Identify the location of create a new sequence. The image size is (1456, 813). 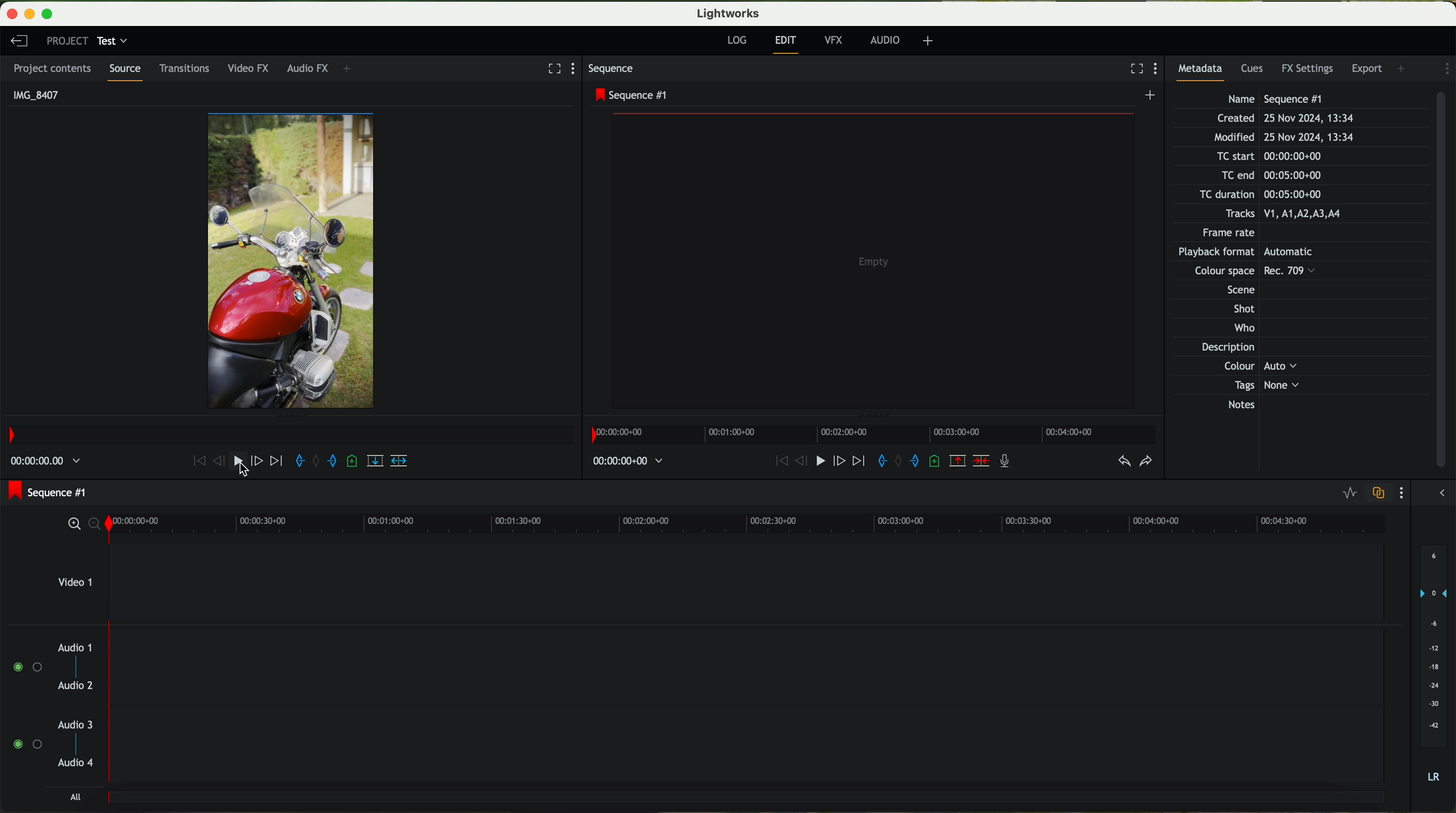
(1151, 97).